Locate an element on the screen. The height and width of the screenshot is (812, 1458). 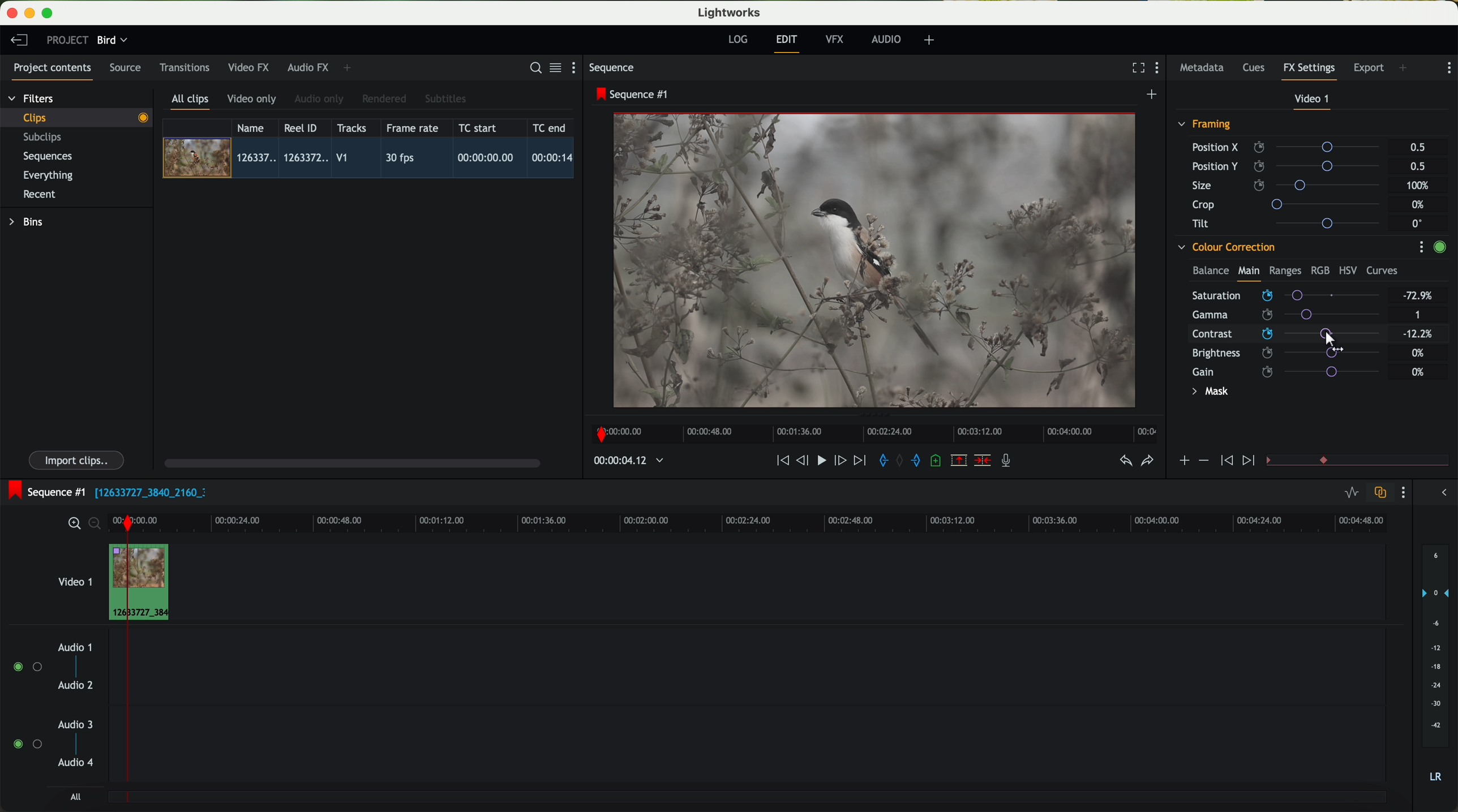
all is located at coordinates (75, 797).